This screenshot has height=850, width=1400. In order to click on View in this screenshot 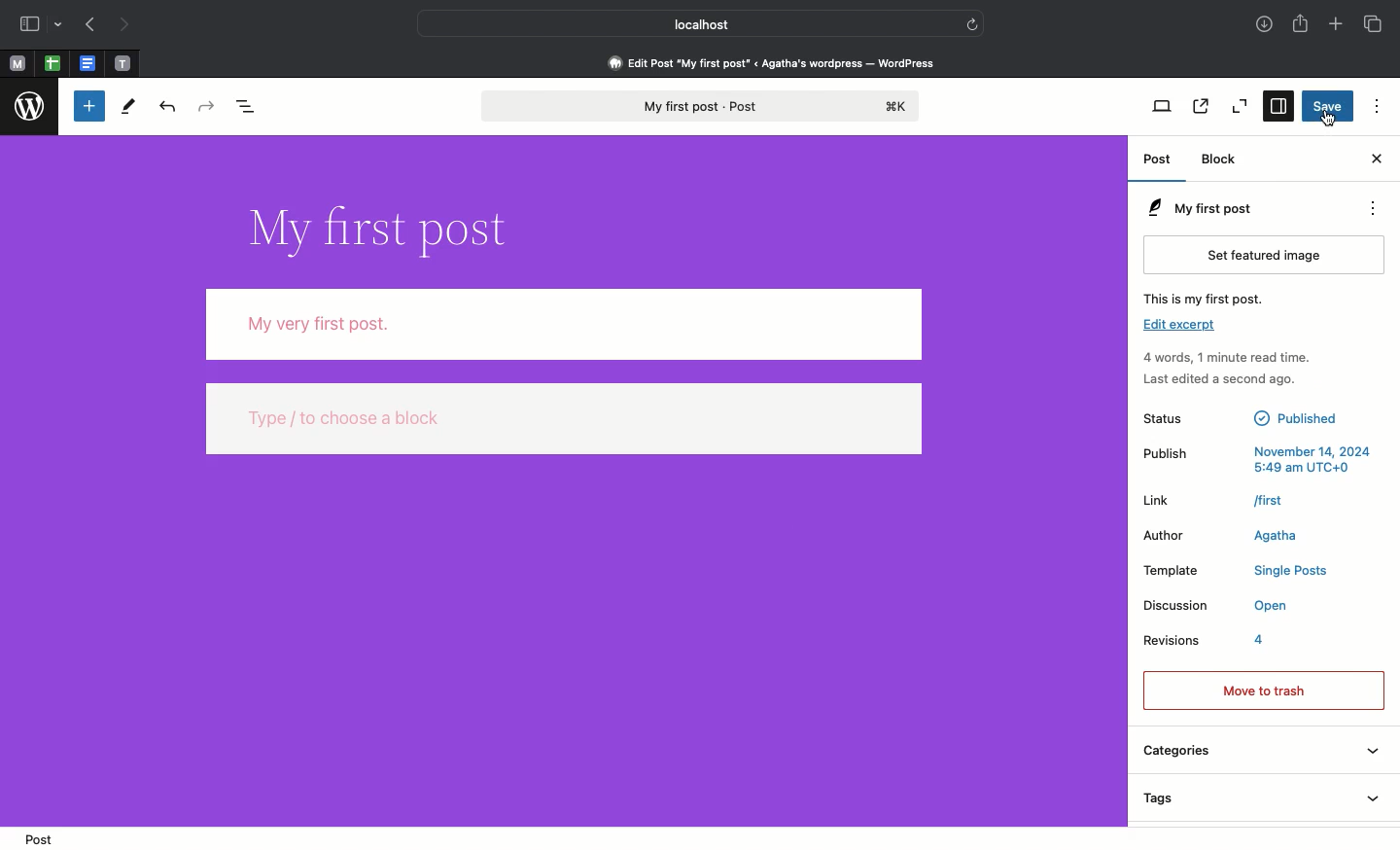, I will do `click(1163, 107)`.